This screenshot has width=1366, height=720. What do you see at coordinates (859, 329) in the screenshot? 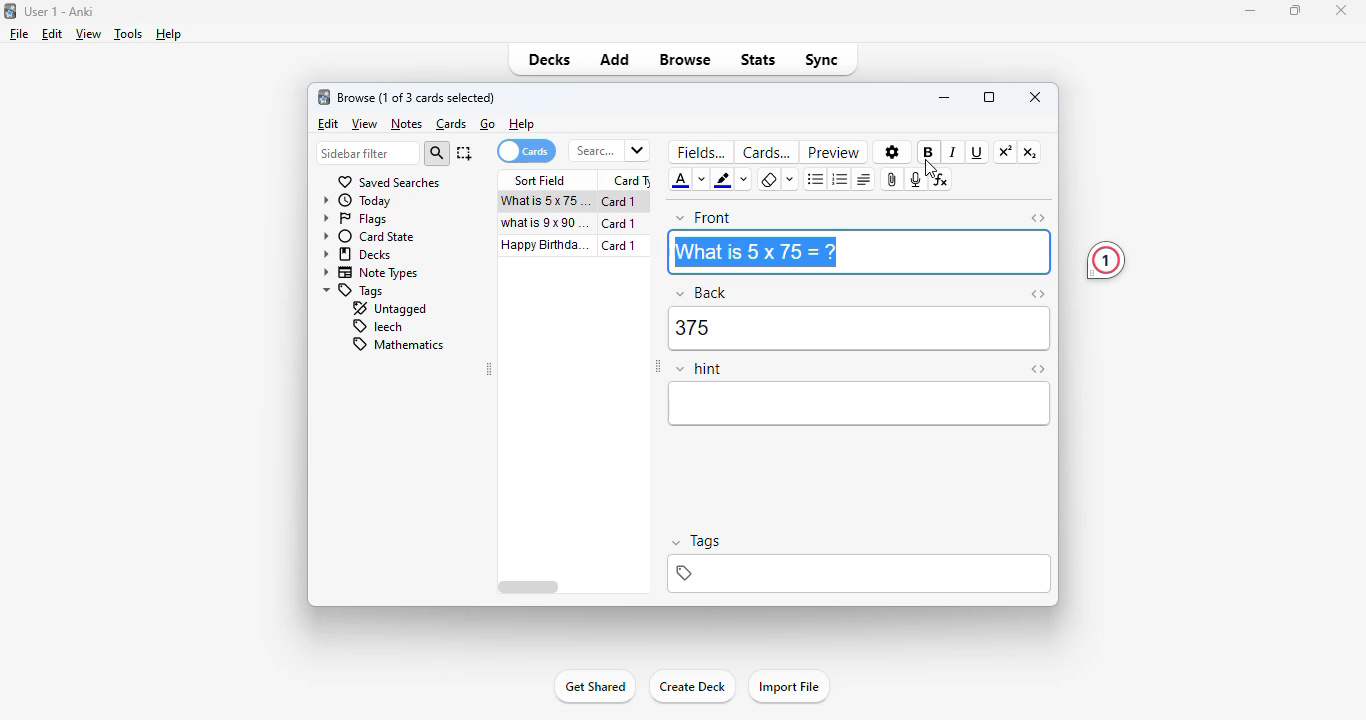
I see `375` at bounding box center [859, 329].